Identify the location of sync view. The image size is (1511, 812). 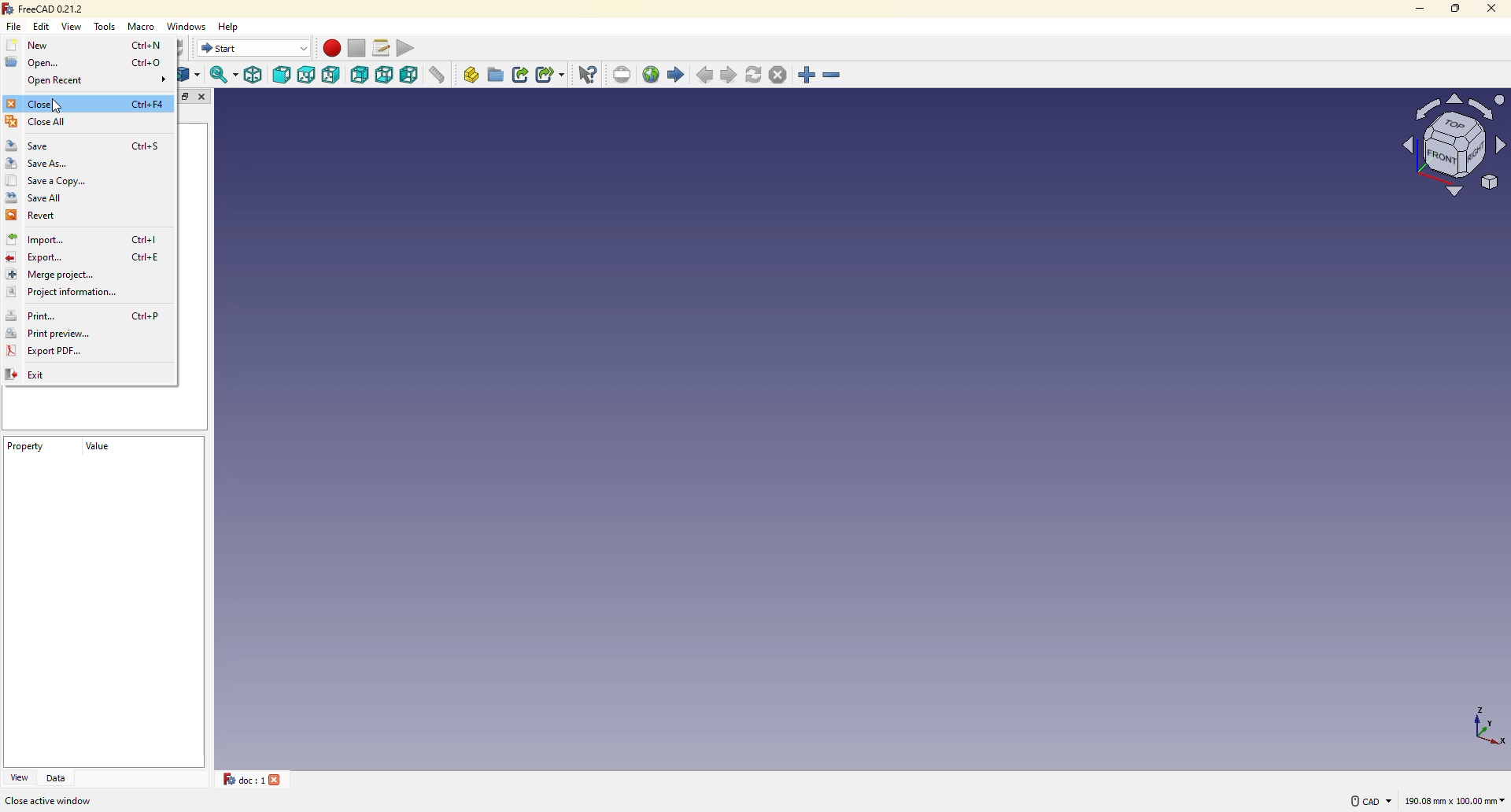
(222, 75).